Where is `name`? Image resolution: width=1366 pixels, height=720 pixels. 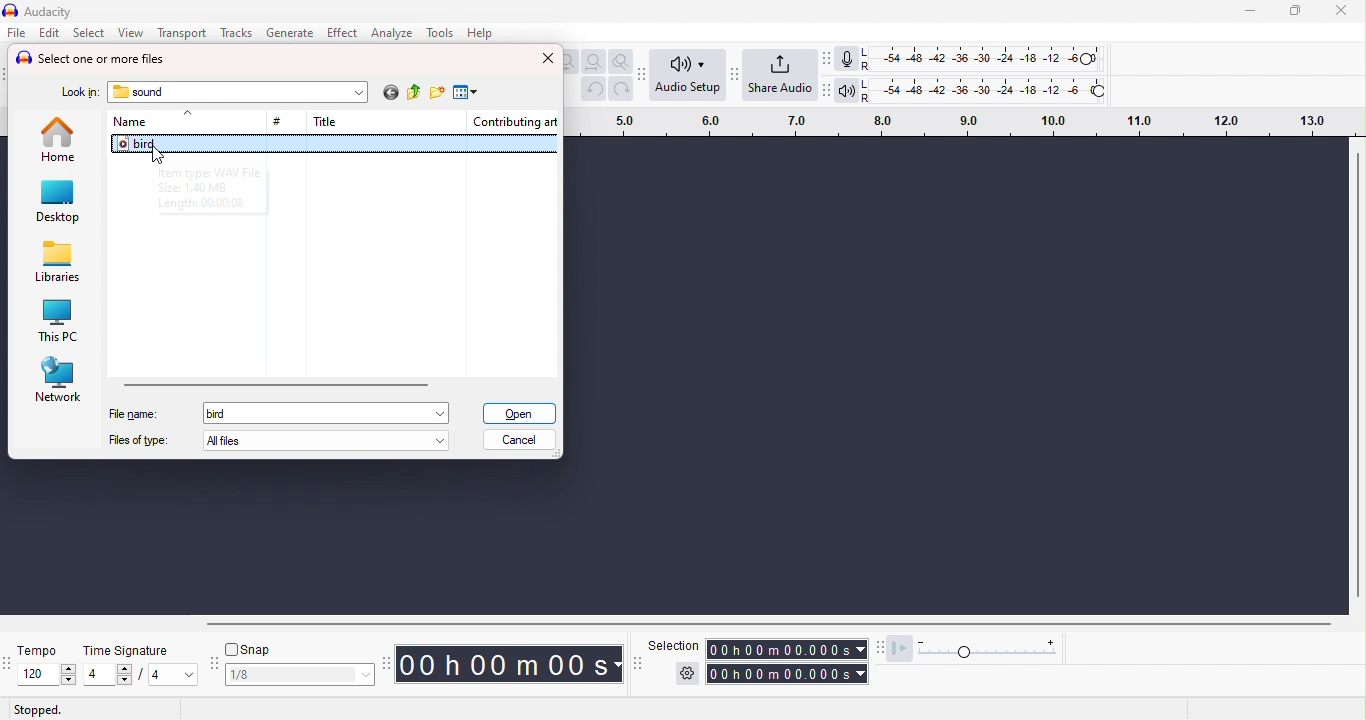 name is located at coordinates (129, 122).